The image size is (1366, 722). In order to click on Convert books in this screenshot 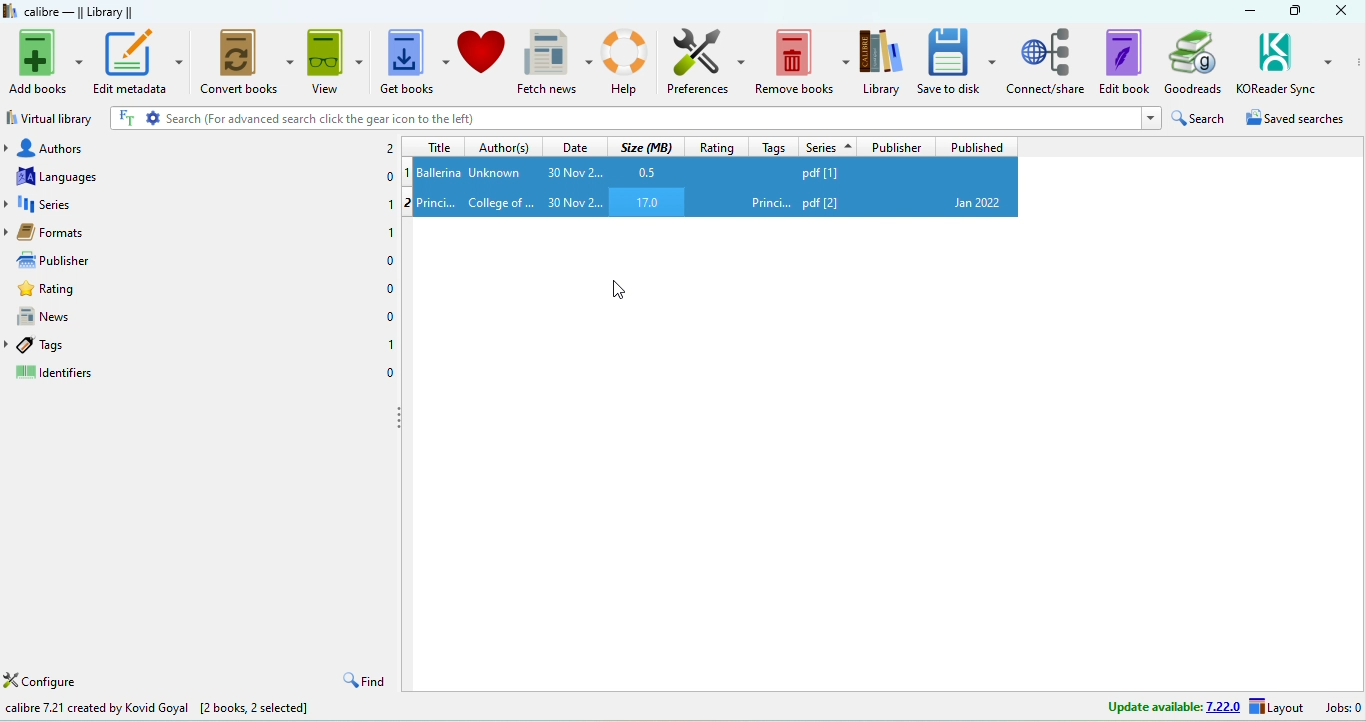, I will do `click(250, 59)`.